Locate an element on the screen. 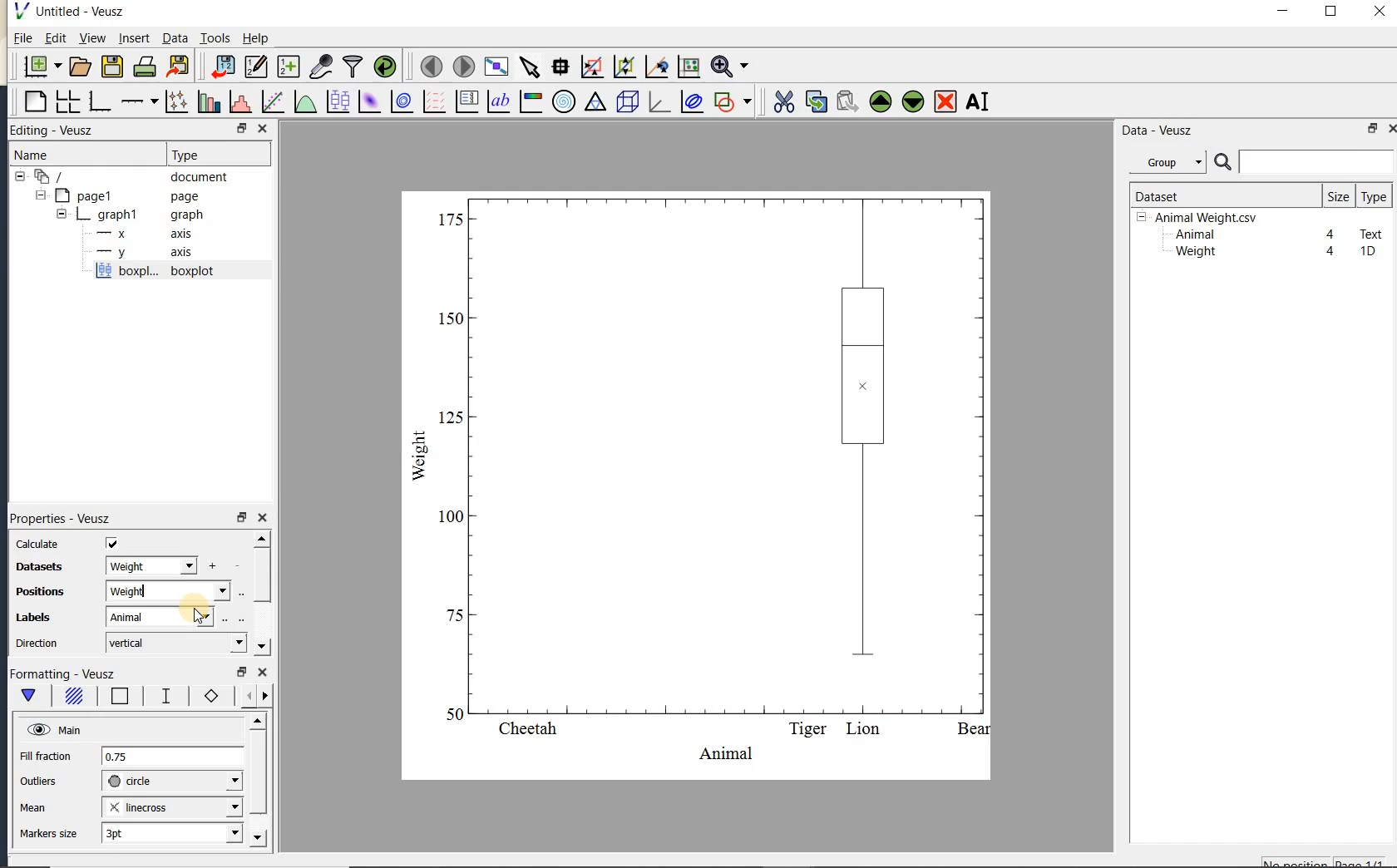 The width and height of the screenshot is (1397, 868). Main is located at coordinates (54, 728).